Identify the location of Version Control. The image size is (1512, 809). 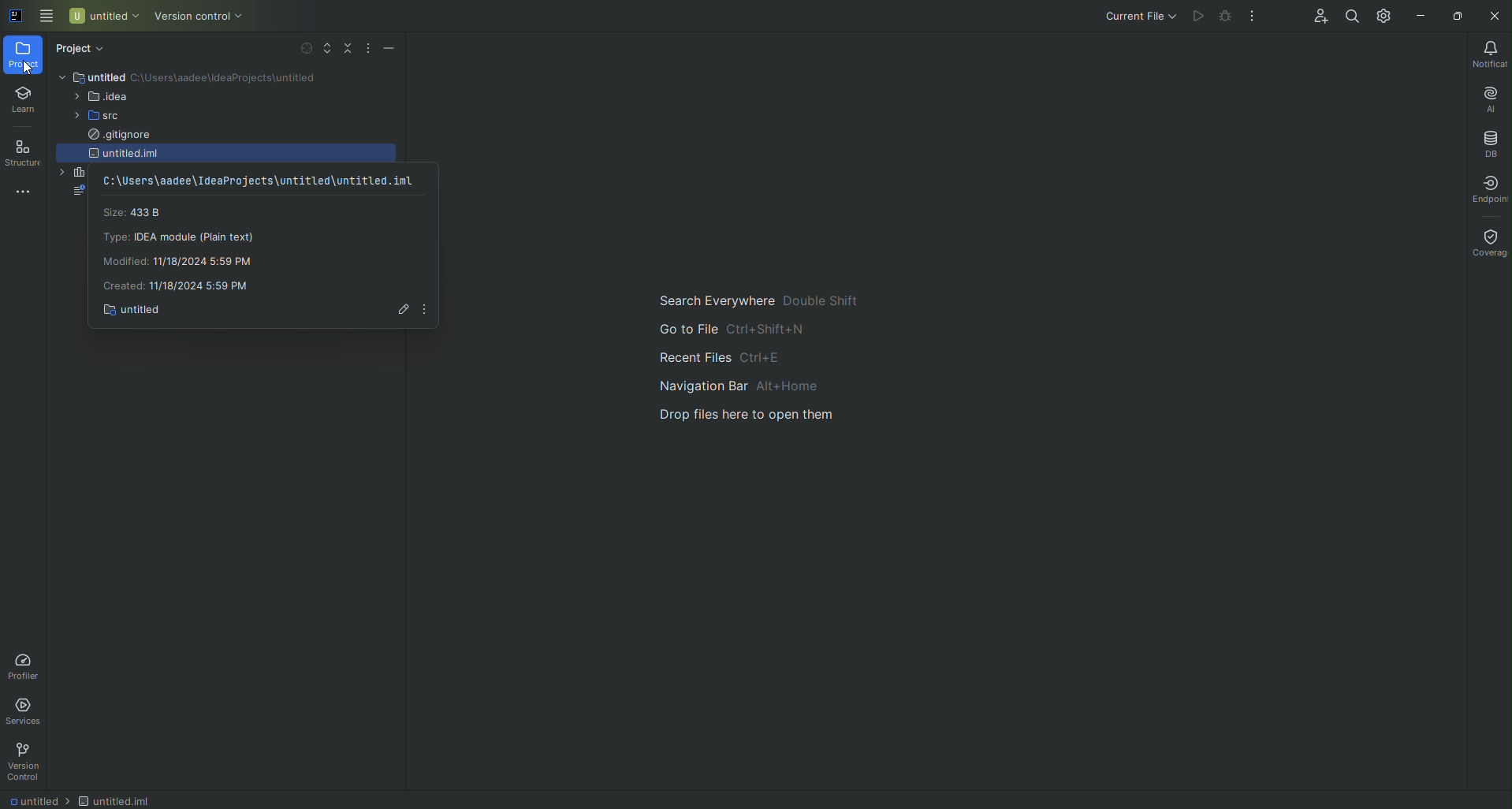
(195, 18).